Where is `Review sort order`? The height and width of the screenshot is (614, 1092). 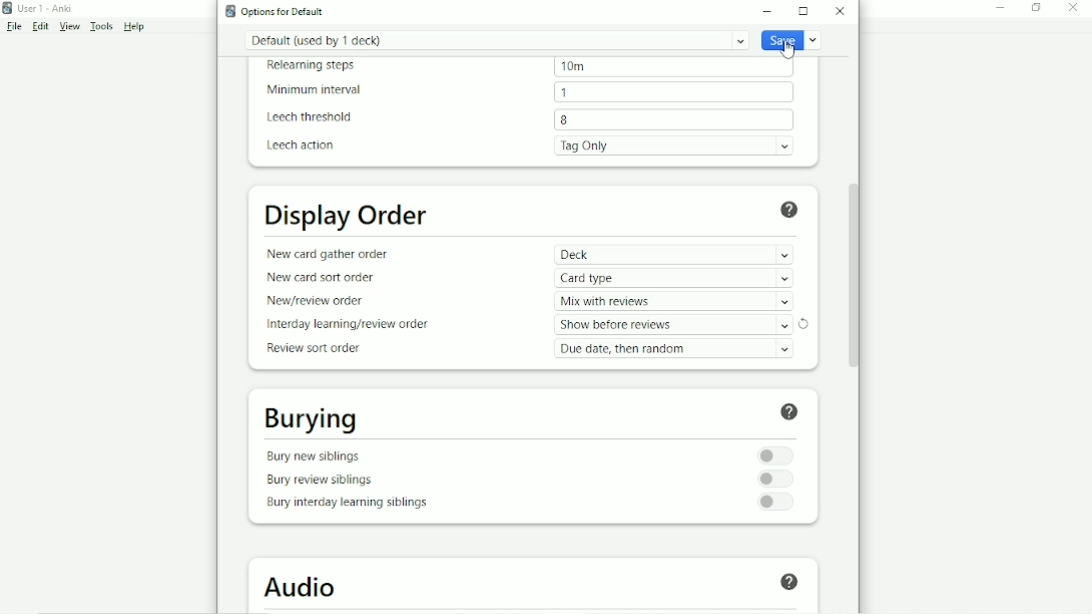 Review sort order is located at coordinates (313, 348).